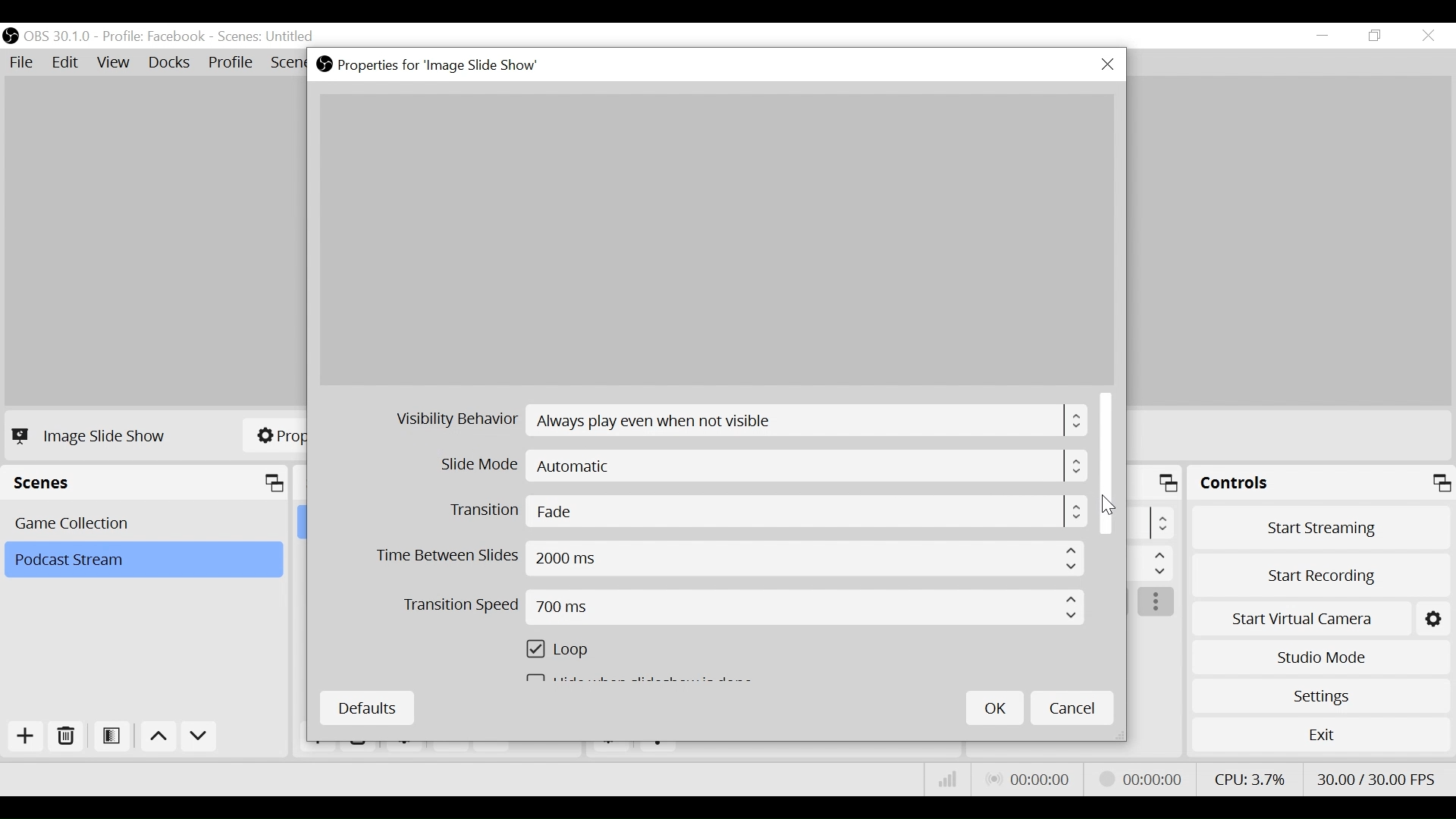  I want to click on Settings, so click(1320, 695).